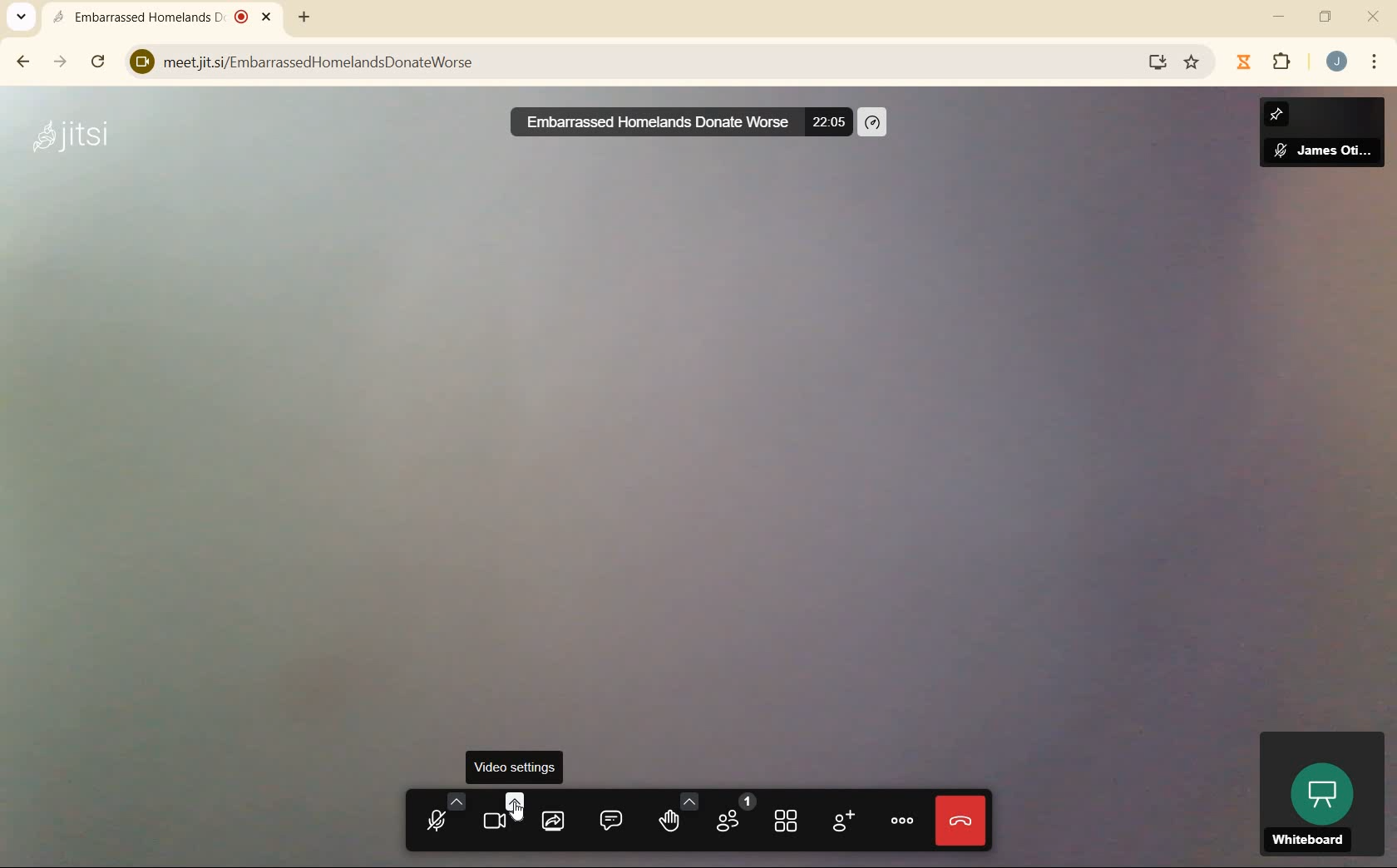 The height and width of the screenshot is (868, 1397). I want to click on jitsi, so click(72, 145).